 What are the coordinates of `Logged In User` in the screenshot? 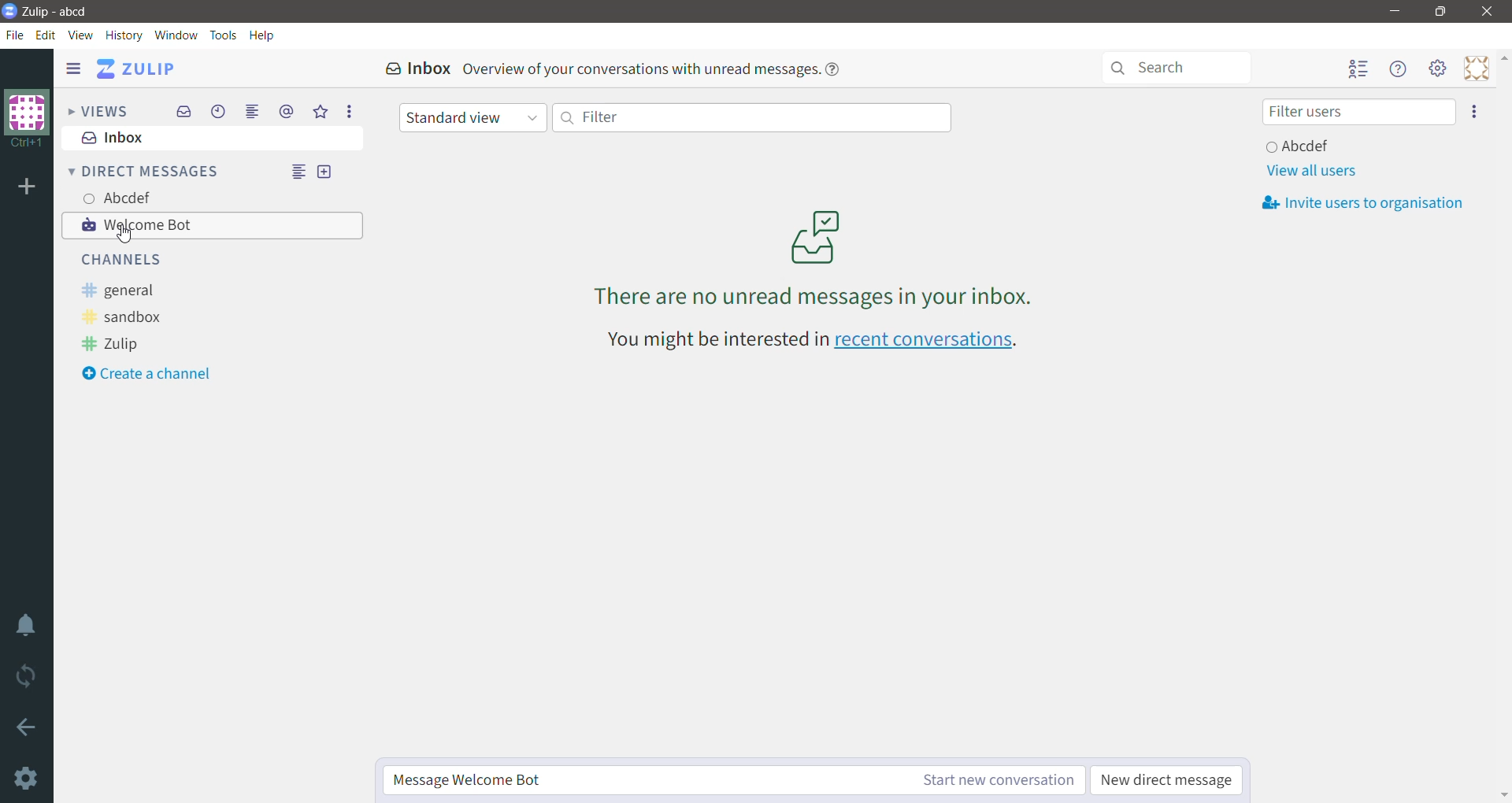 It's located at (120, 196).